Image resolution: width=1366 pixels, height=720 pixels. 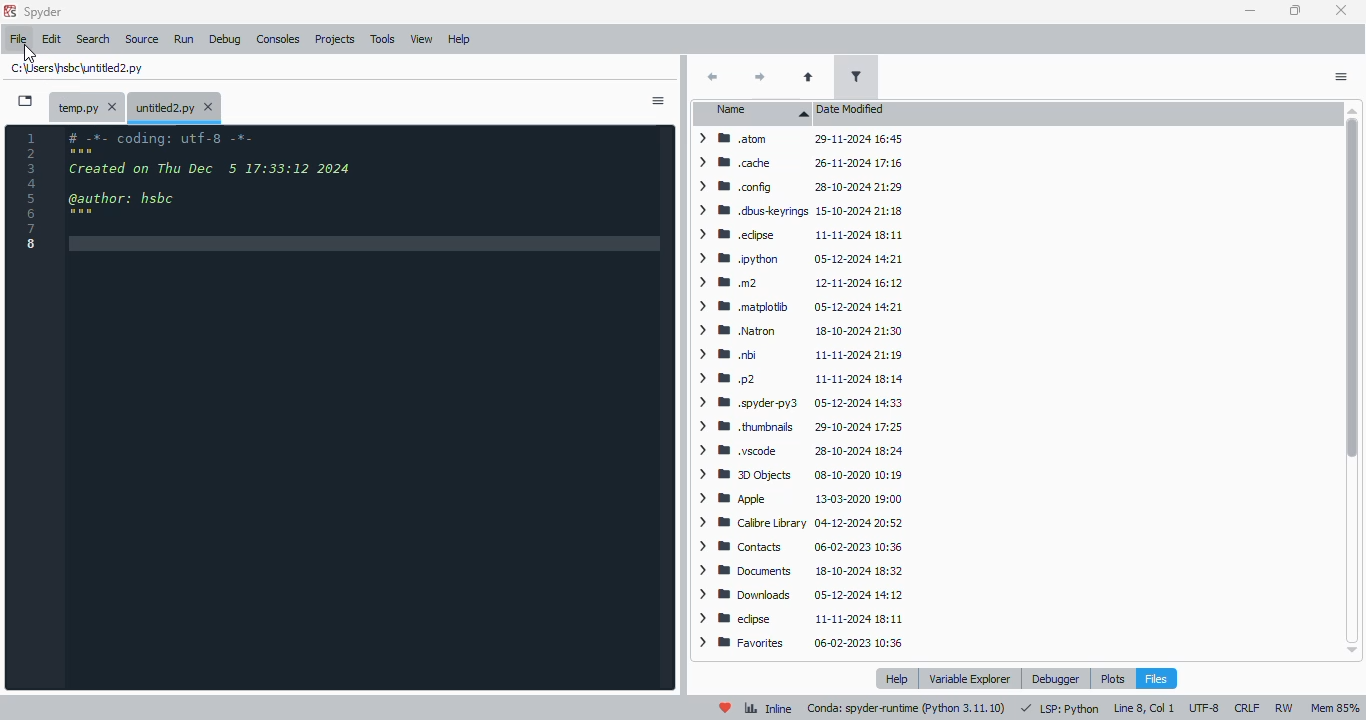 What do you see at coordinates (759, 77) in the screenshot?
I see `next` at bounding box center [759, 77].